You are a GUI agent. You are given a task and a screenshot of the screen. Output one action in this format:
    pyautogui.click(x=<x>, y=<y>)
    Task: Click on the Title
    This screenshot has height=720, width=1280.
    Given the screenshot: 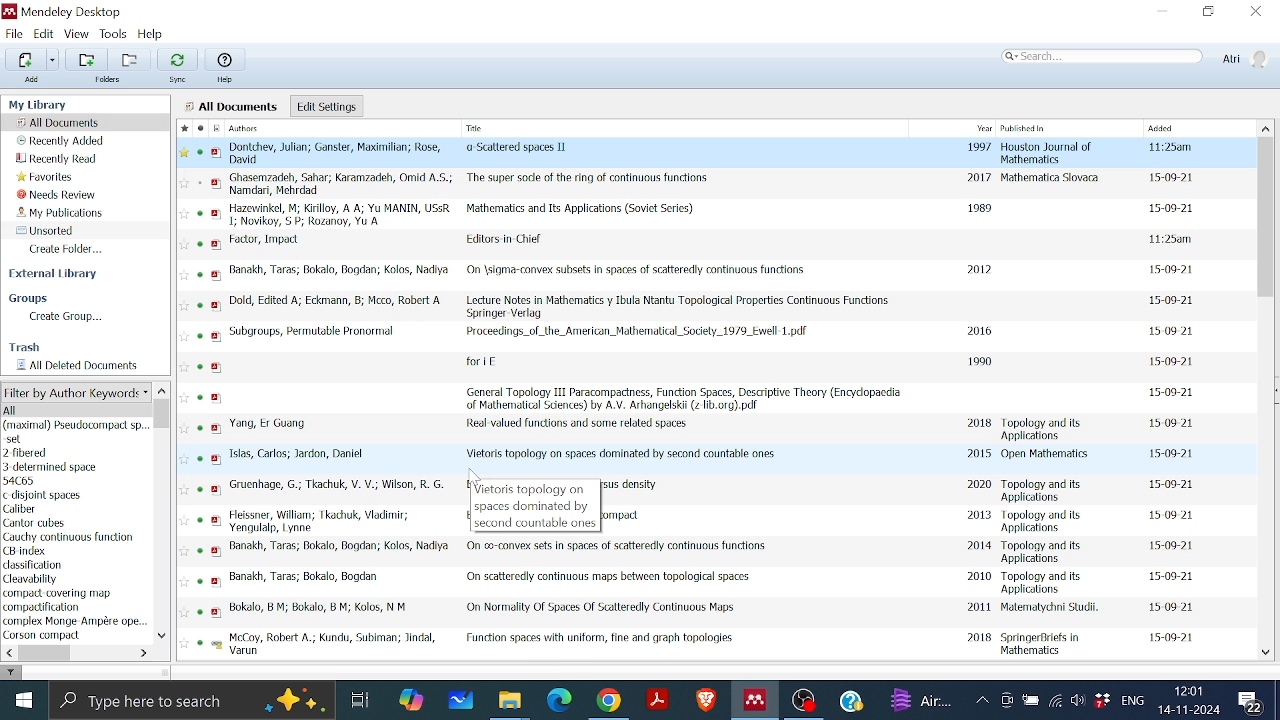 What is the action you would take?
    pyautogui.click(x=636, y=333)
    